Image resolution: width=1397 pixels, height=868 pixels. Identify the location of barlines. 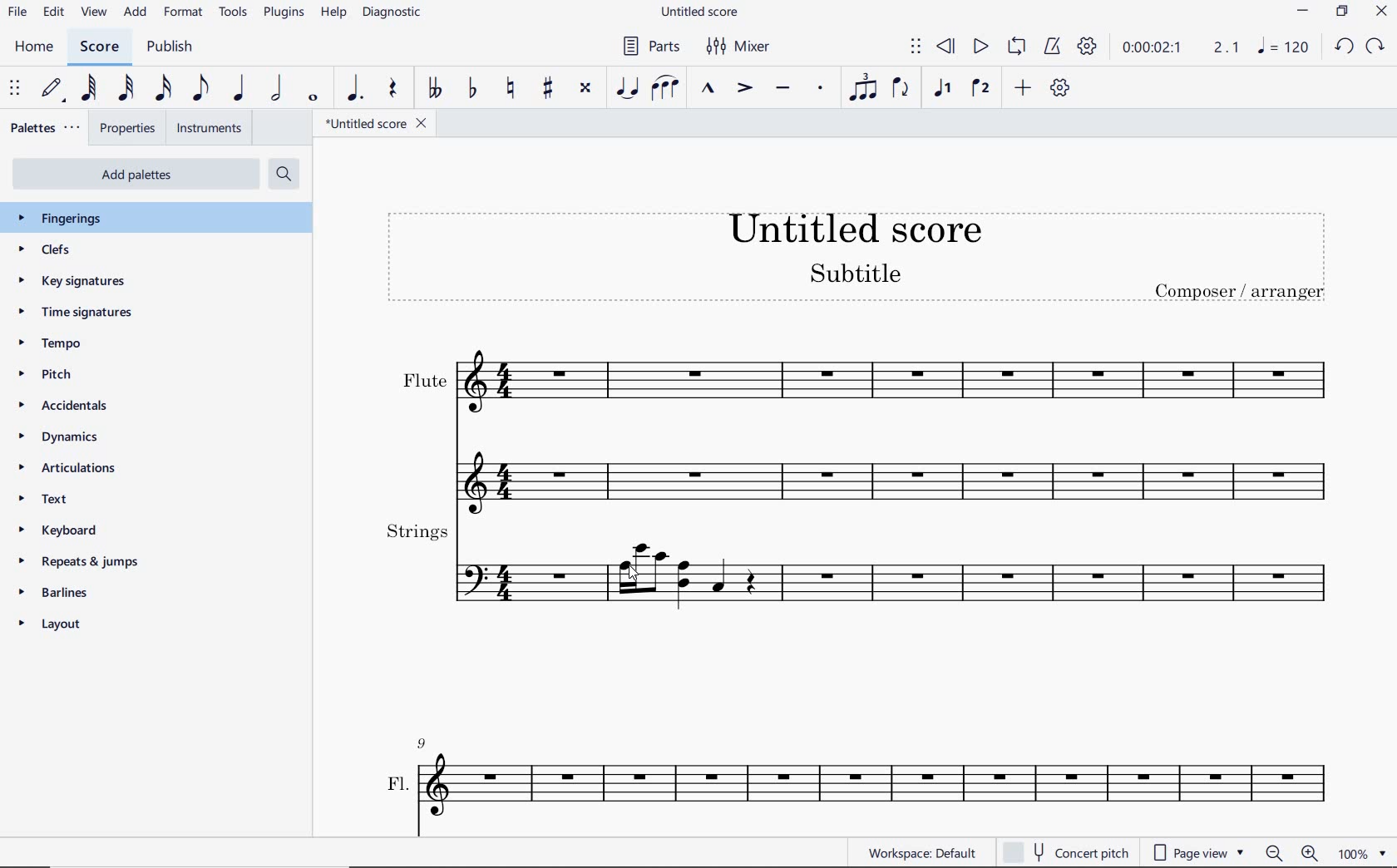
(89, 594).